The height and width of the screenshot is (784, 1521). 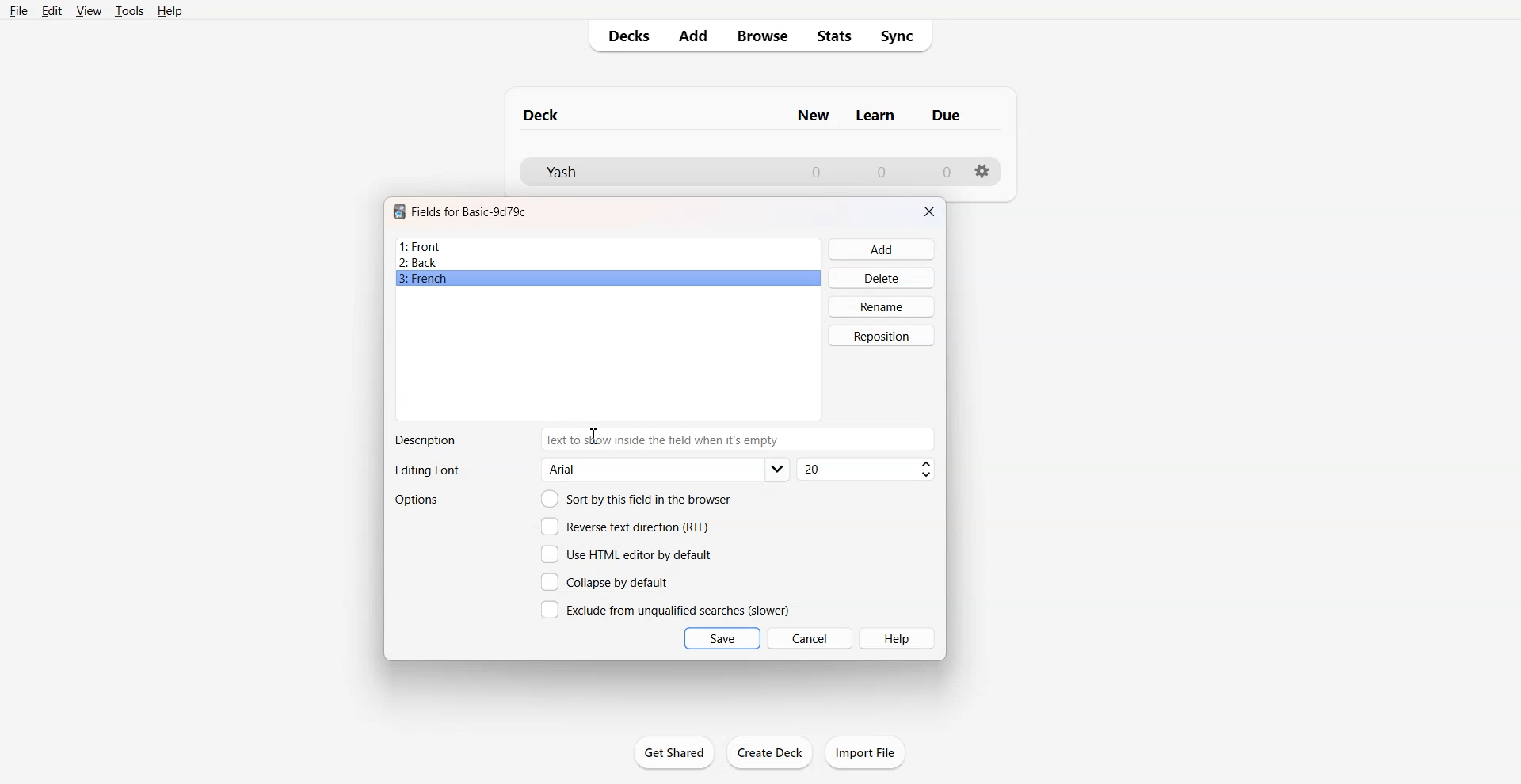 What do you see at coordinates (426, 471) in the screenshot?
I see `Text` at bounding box center [426, 471].